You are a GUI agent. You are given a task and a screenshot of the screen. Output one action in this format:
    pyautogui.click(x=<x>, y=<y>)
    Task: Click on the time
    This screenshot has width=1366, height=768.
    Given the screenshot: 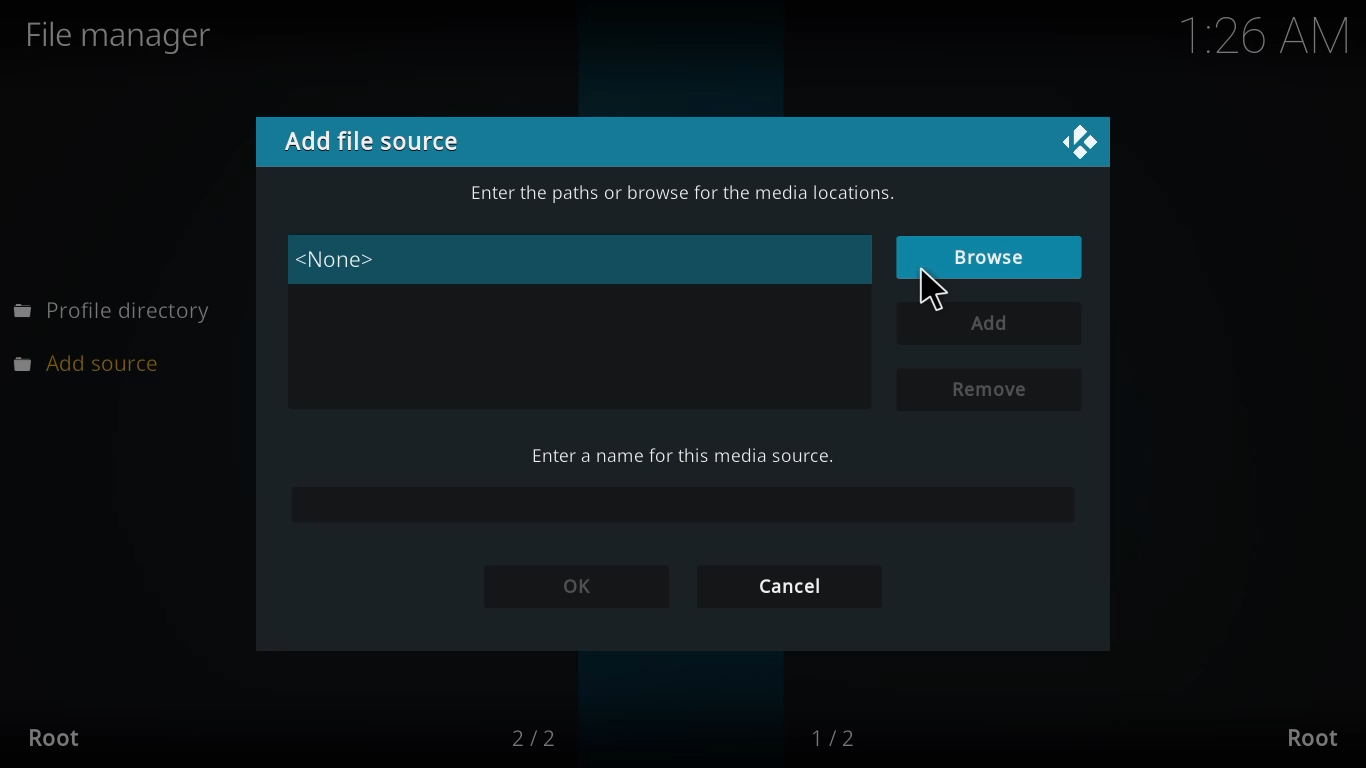 What is the action you would take?
    pyautogui.click(x=933, y=295)
    